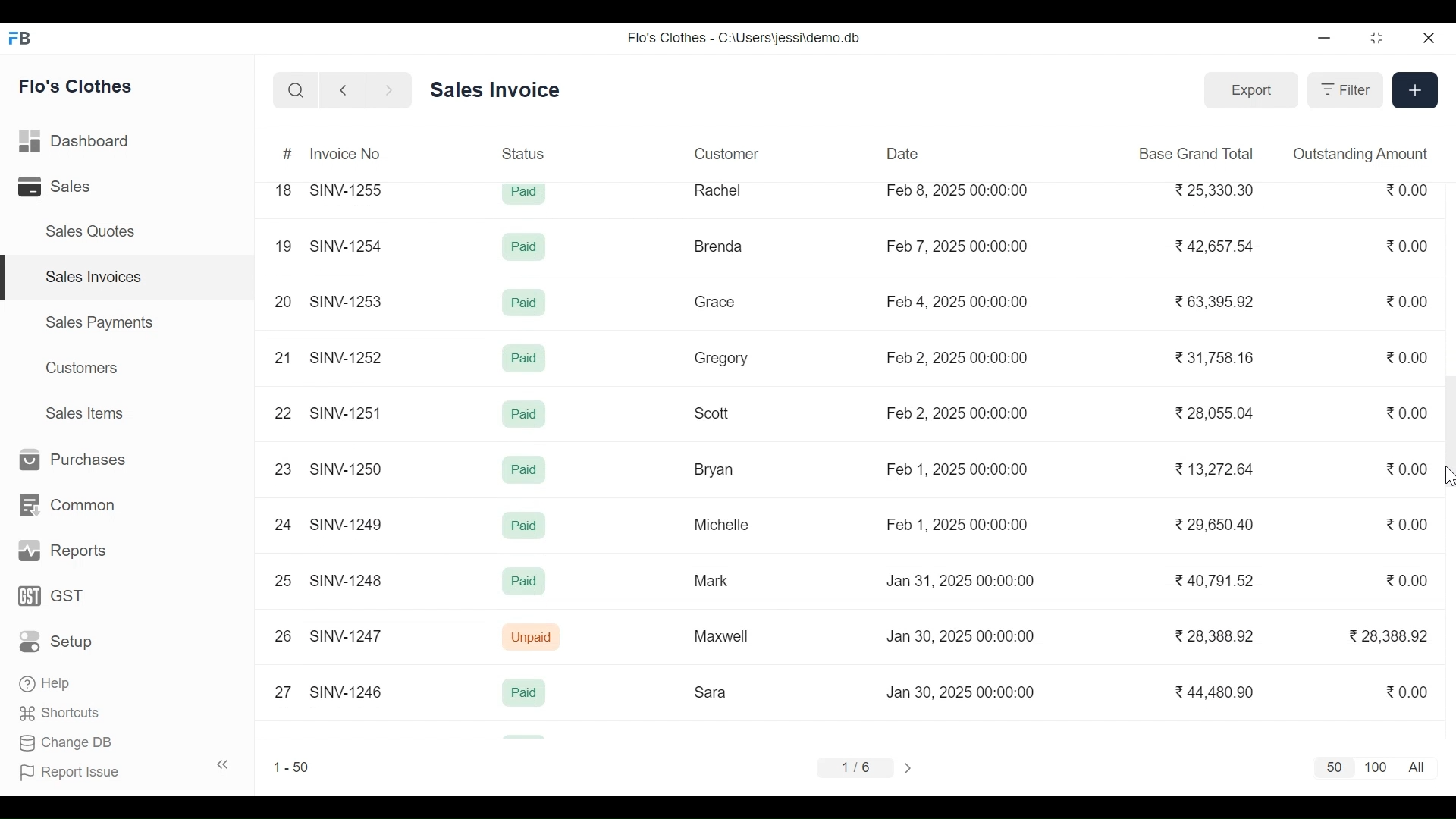 The height and width of the screenshot is (819, 1456). What do you see at coordinates (77, 86) in the screenshot?
I see `Flo's Clothes` at bounding box center [77, 86].